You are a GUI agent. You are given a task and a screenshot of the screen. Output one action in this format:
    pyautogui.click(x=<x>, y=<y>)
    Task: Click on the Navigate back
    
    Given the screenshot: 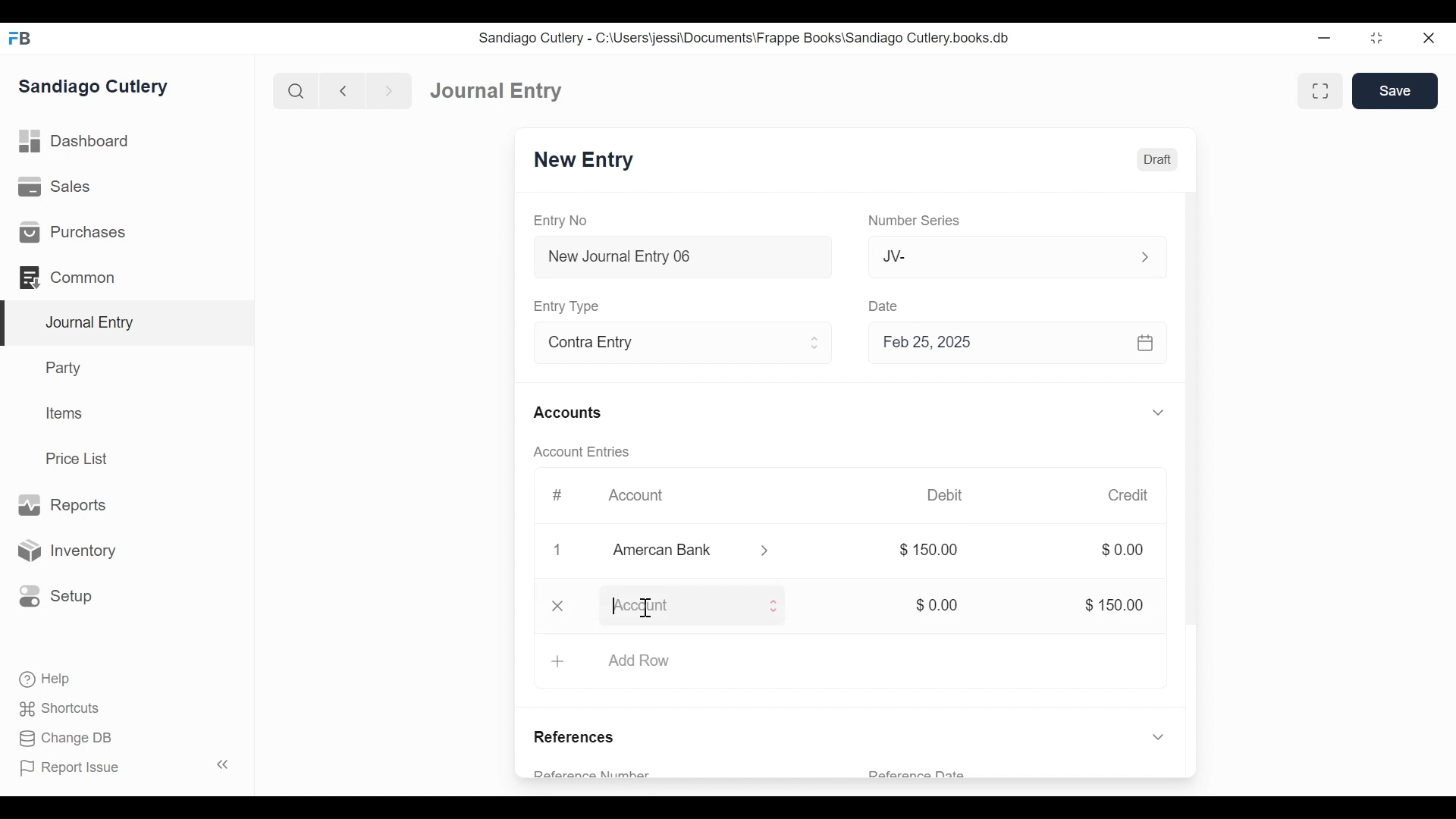 What is the action you would take?
    pyautogui.click(x=343, y=93)
    